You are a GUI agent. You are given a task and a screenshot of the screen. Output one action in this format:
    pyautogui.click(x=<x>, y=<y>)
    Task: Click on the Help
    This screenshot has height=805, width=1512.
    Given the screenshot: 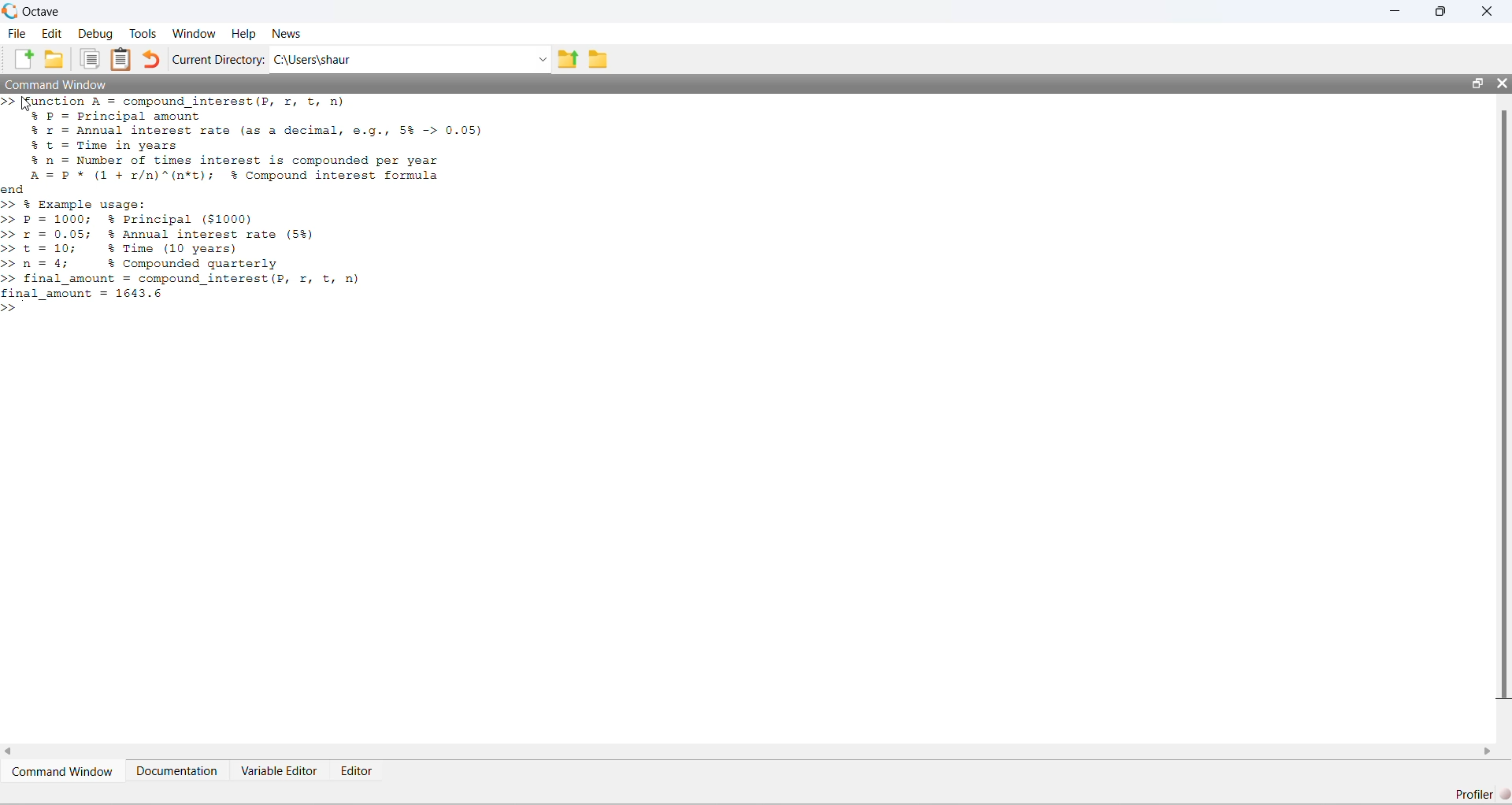 What is the action you would take?
    pyautogui.click(x=243, y=34)
    